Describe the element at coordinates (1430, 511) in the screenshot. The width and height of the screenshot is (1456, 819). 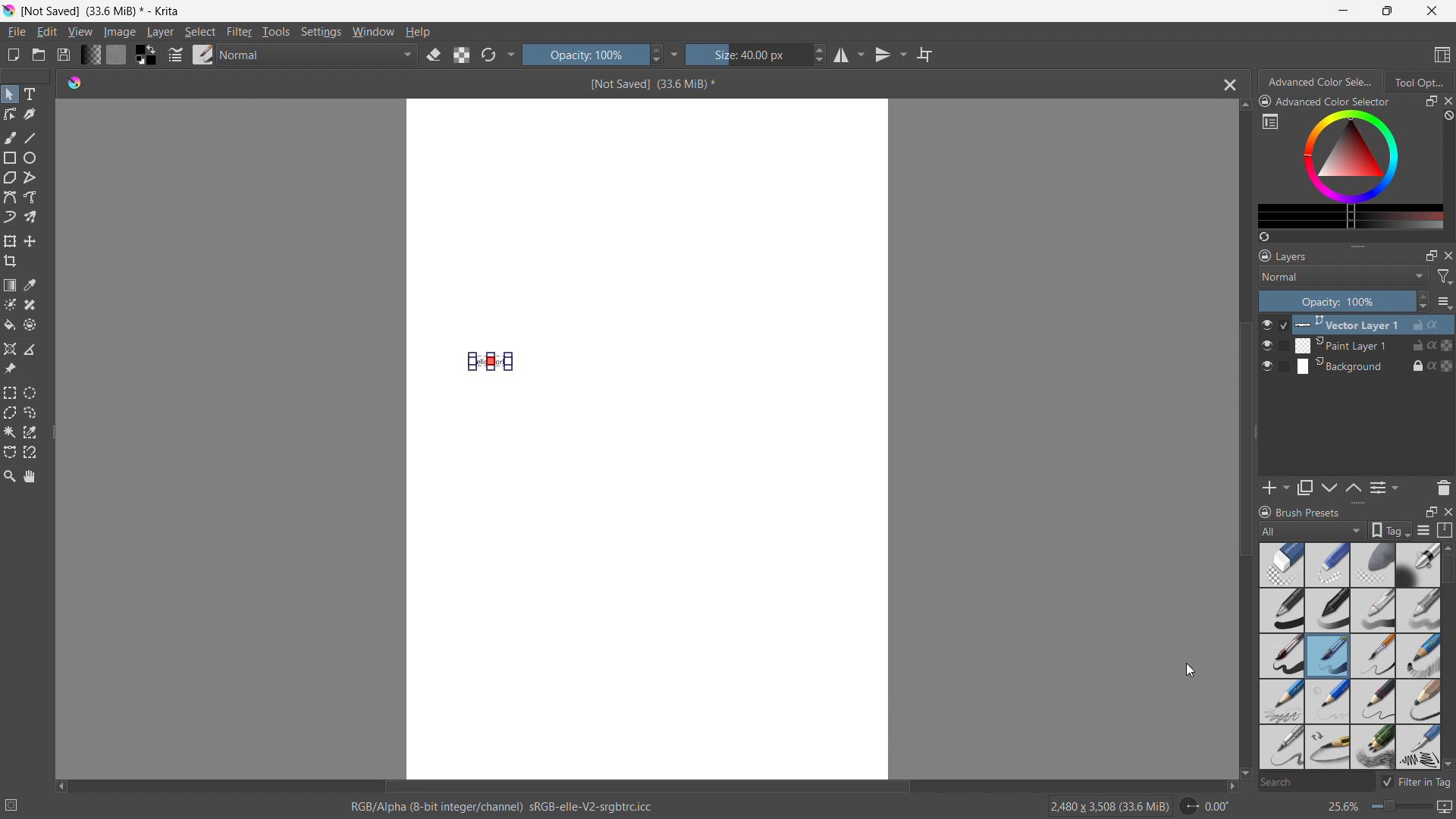
I see `maximize` at that location.